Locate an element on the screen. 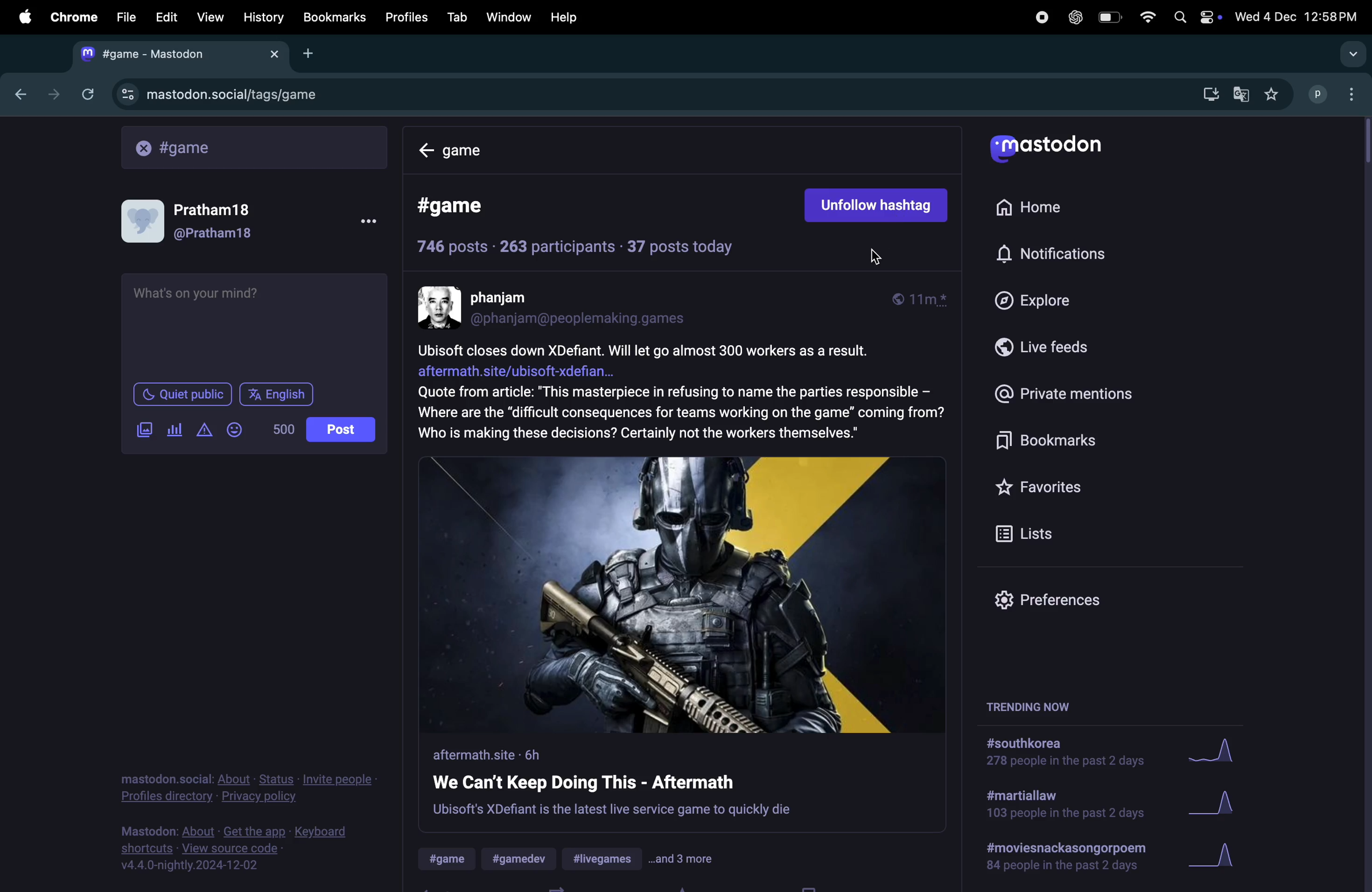 This screenshot has width=1372, height=892. apple enu is located at coordinates (22, 16).